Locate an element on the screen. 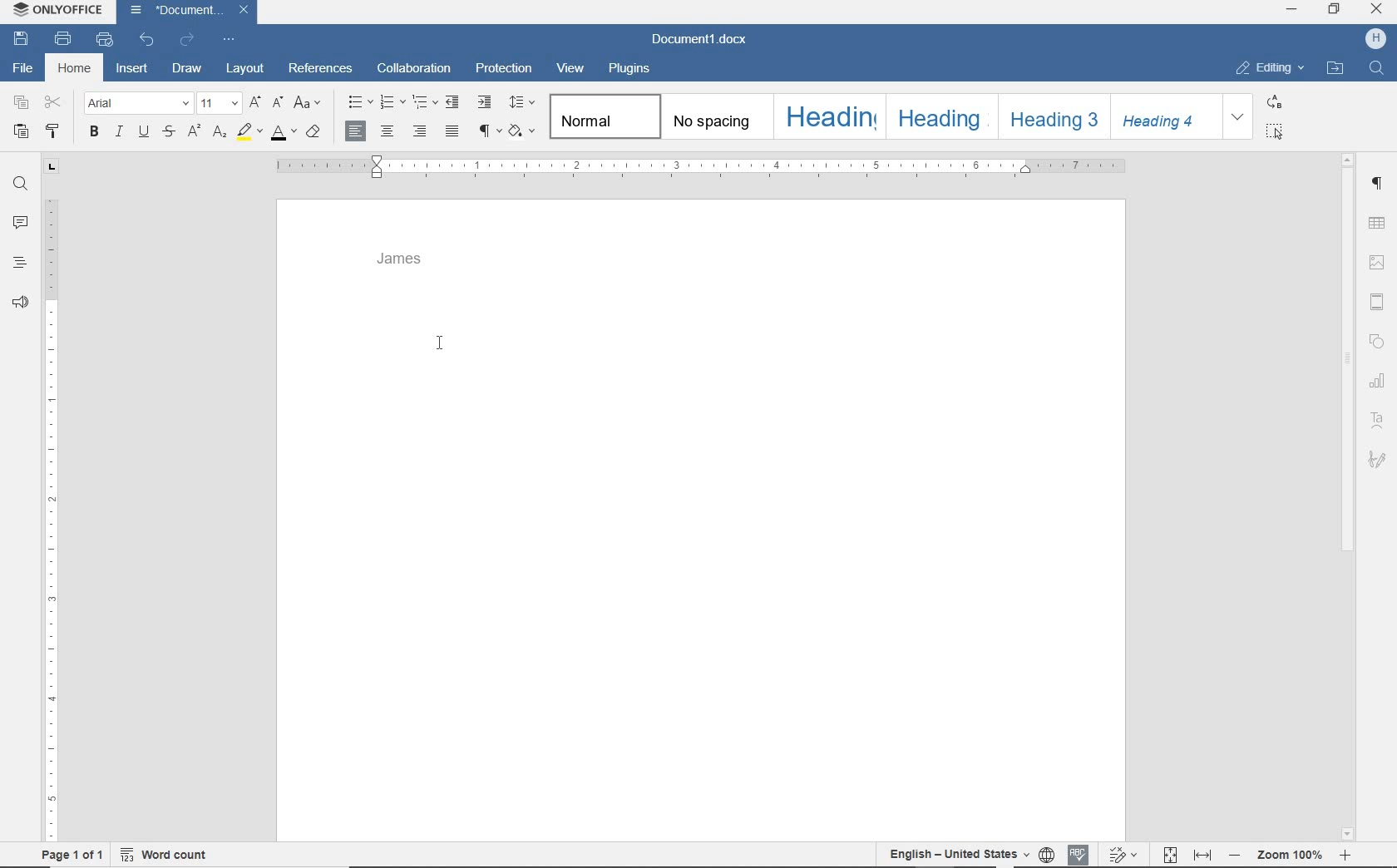 The width and height of the screenshot is (1397, 868). SHAPE is located at coordinates (1376, 340).